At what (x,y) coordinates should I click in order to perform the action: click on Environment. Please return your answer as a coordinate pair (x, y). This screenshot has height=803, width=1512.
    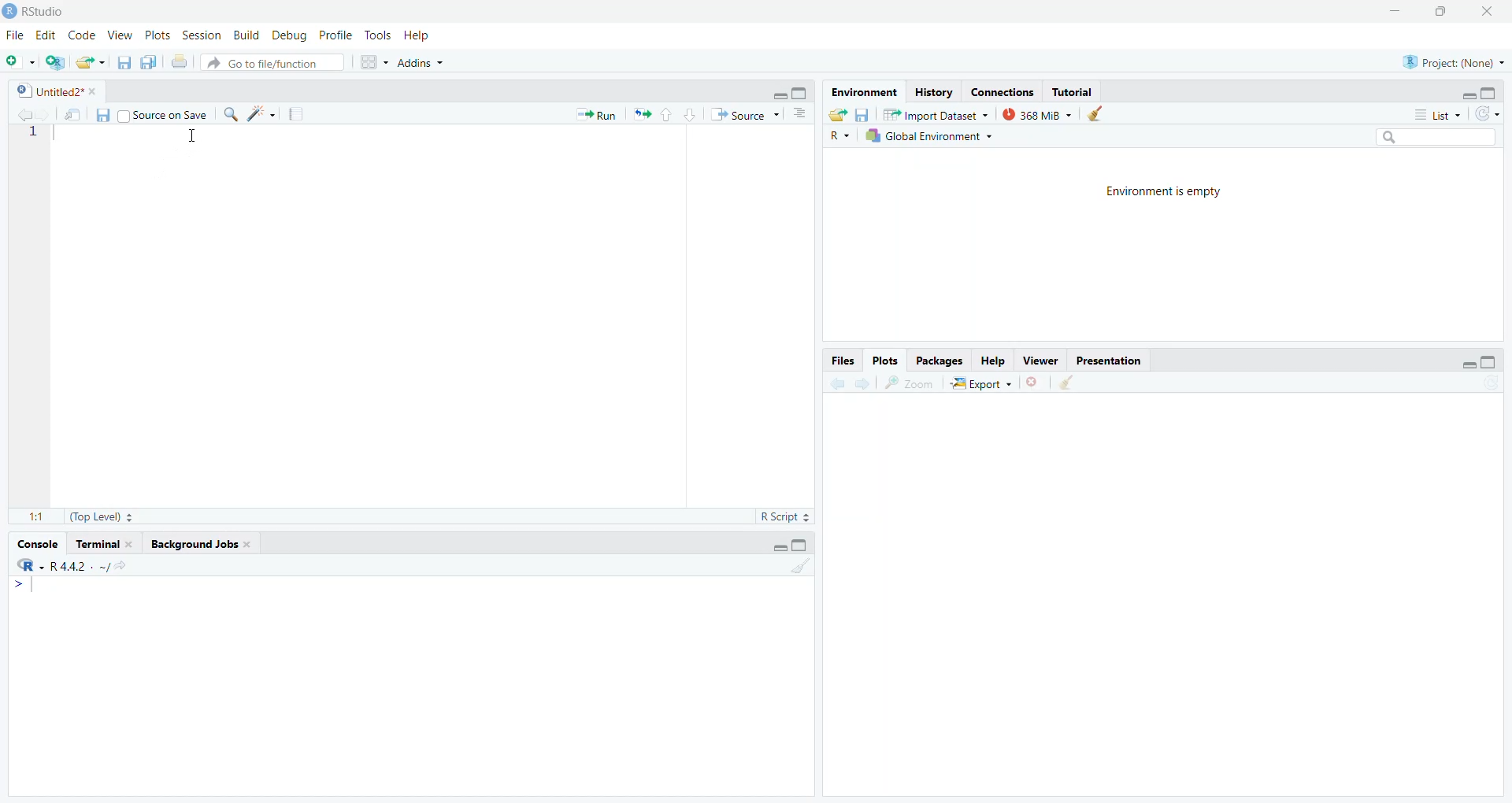
    Looking at the image, I should click on (864, 90).